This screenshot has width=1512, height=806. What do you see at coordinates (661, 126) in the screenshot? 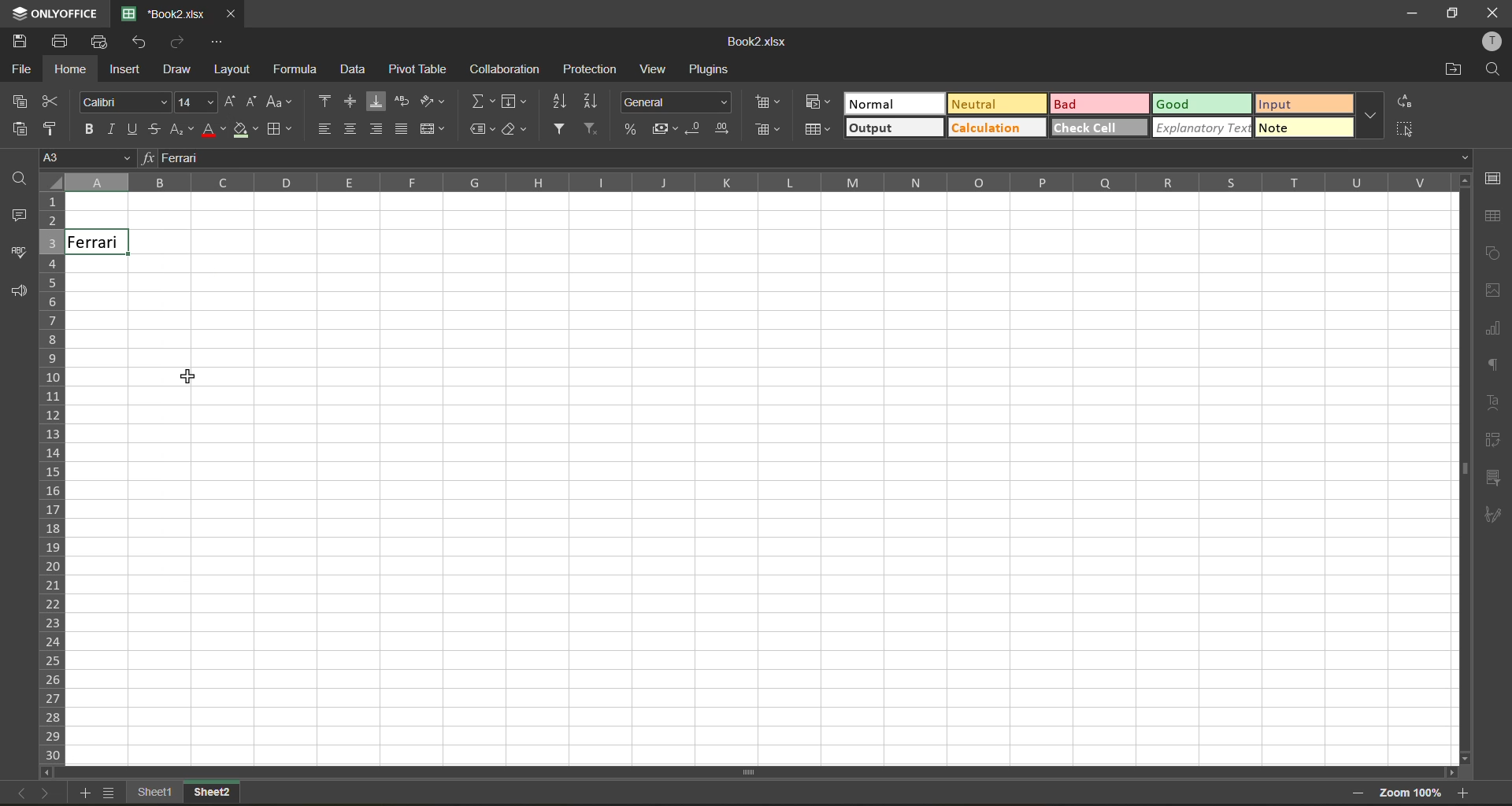
I see `accounting` at bounding box center [661, 126].